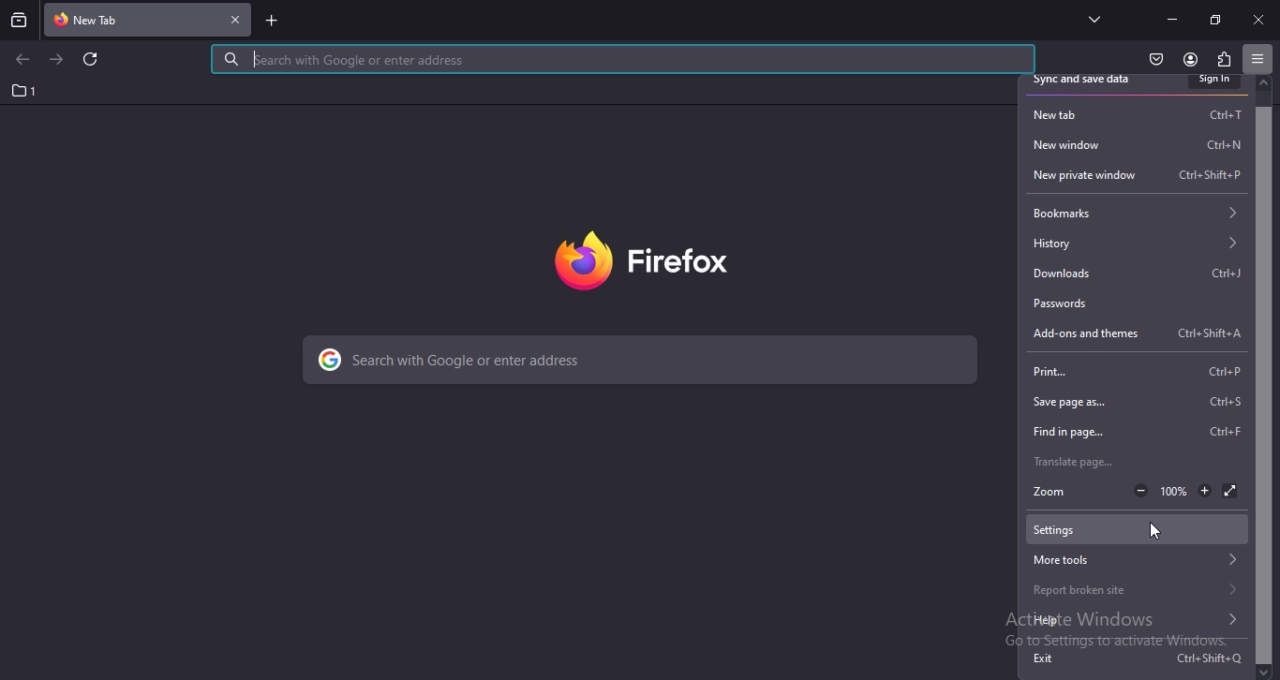  What do you see at coordinates (1170, 18) in the screenshot?
I see `minmize` at bounding box center [1170, 18].